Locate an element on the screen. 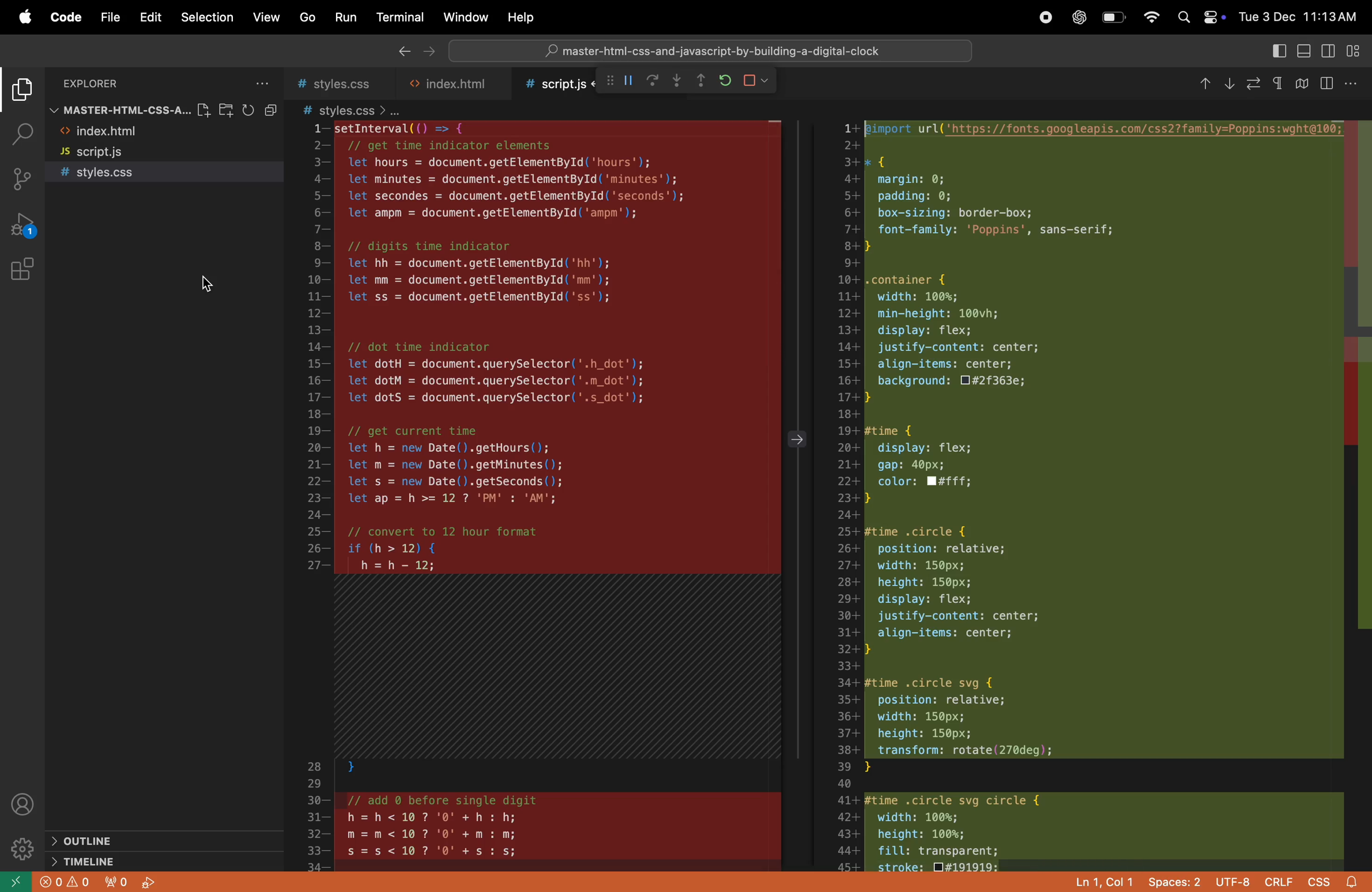 The image size is (1372, 892). toggle side bar is located at coordinates (1329, 52).